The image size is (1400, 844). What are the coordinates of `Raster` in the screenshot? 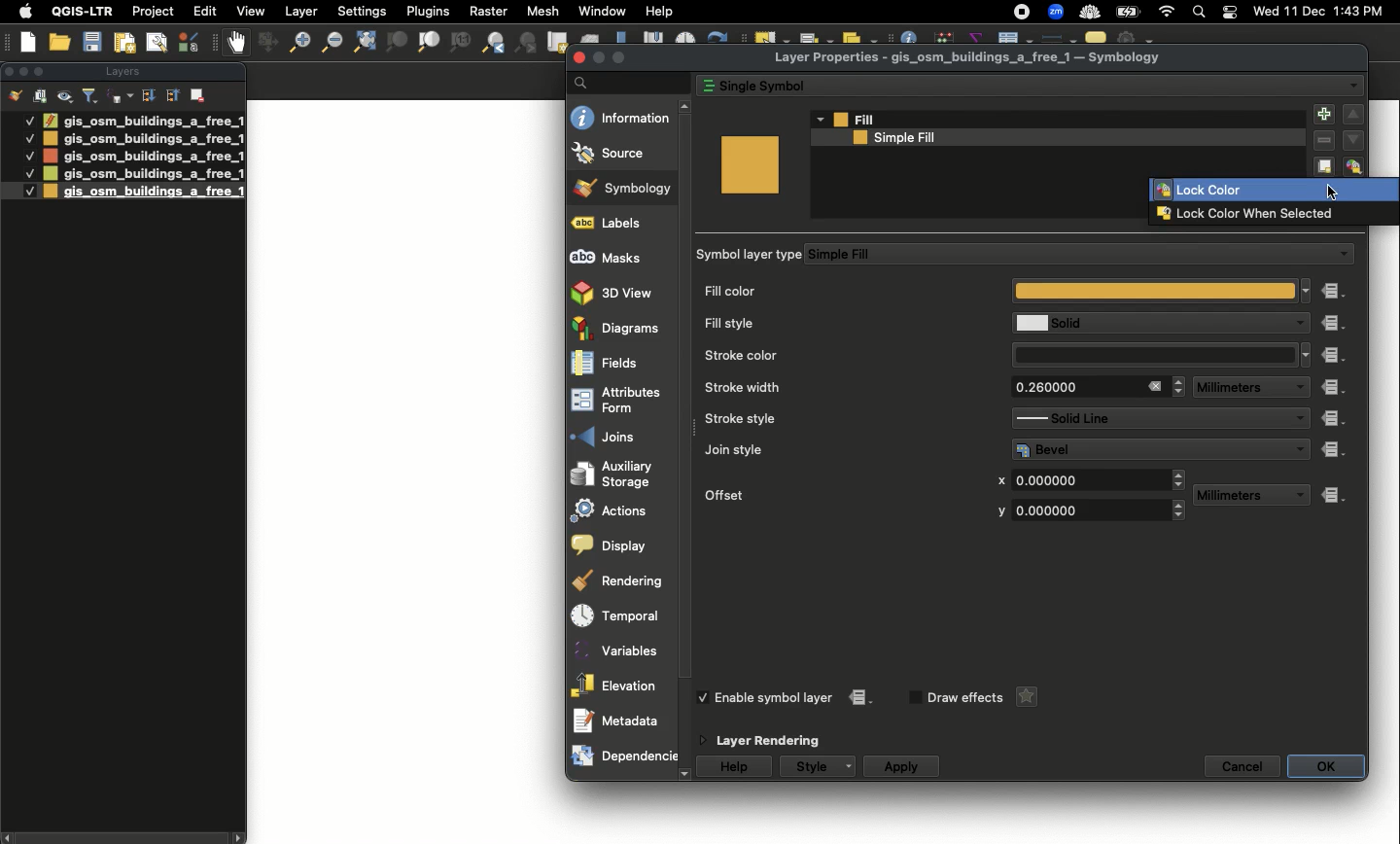 It's located at (486, 12).